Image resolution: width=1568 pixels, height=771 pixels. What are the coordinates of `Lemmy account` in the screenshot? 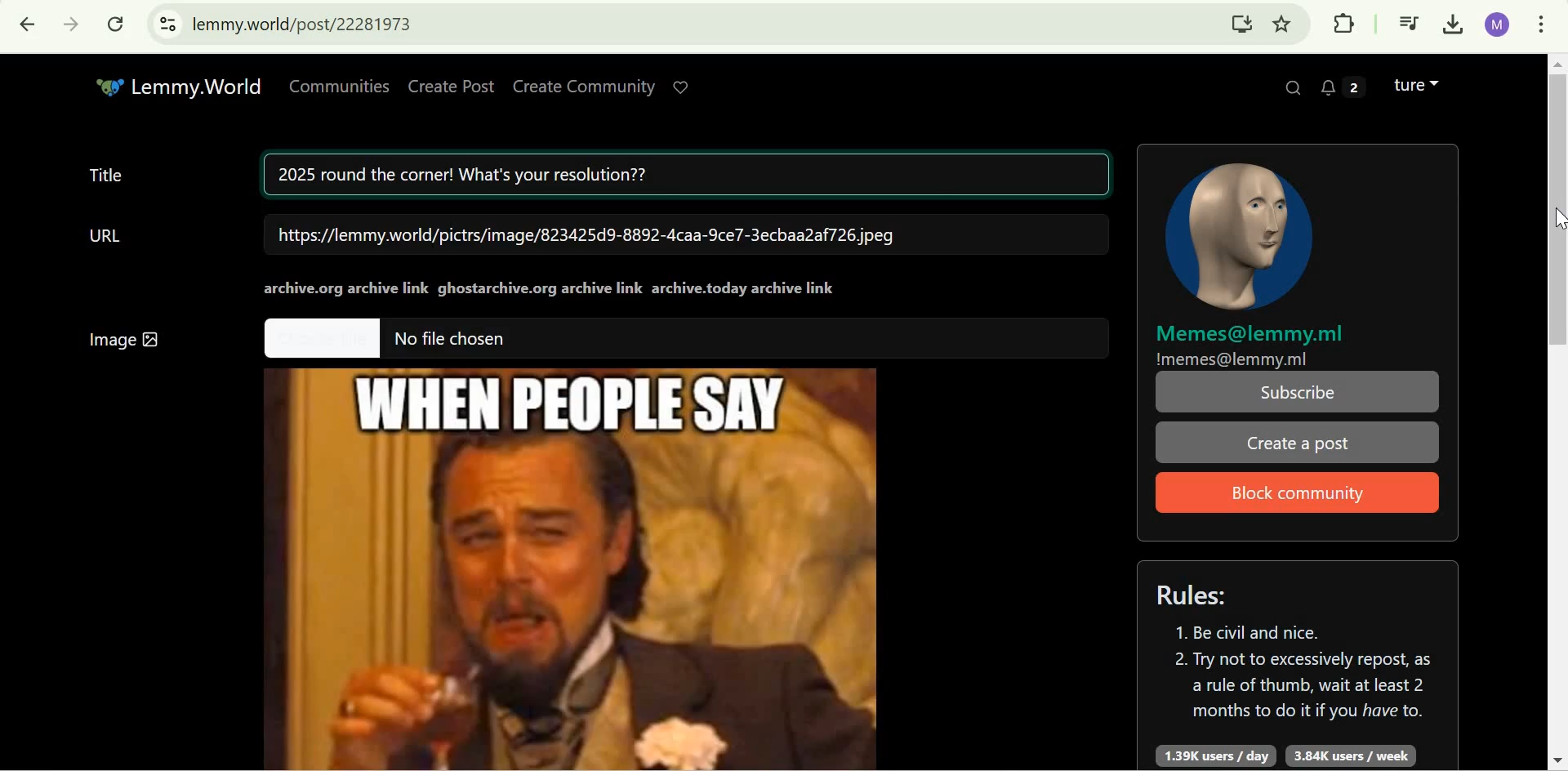 It's located at (1416, 85).